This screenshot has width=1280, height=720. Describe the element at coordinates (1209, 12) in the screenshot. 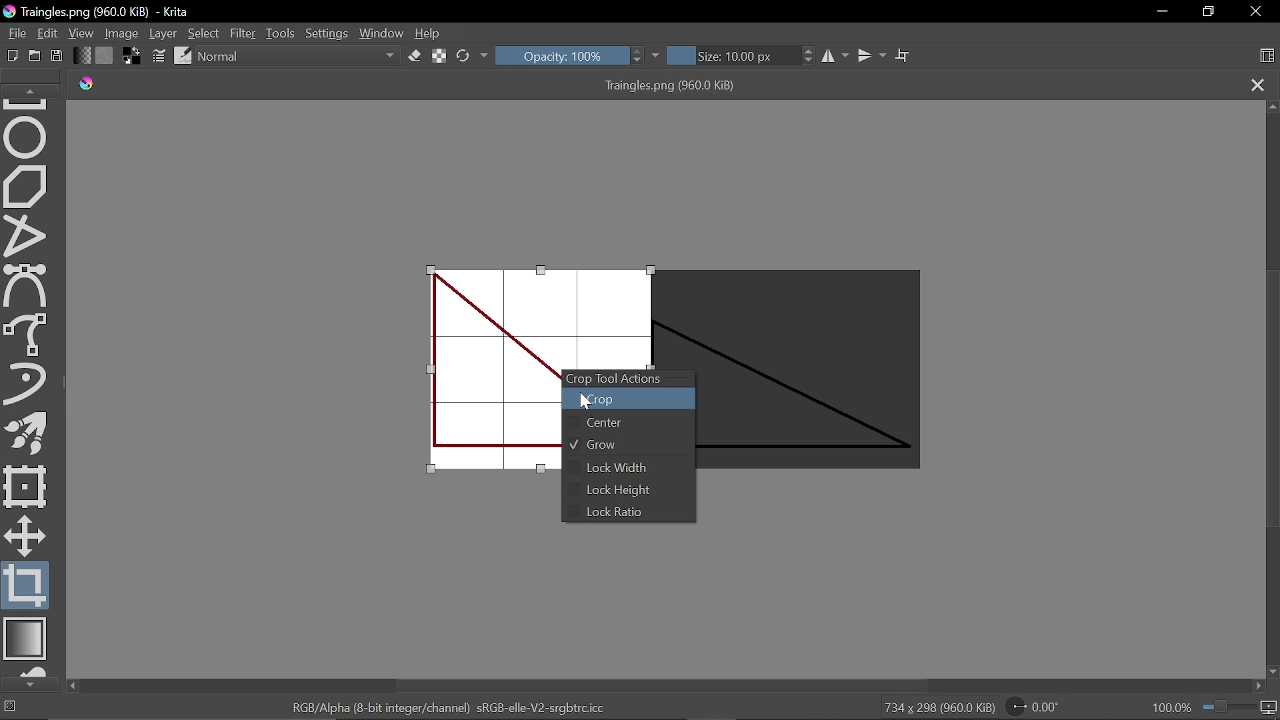

I see `Restore down` at that location.